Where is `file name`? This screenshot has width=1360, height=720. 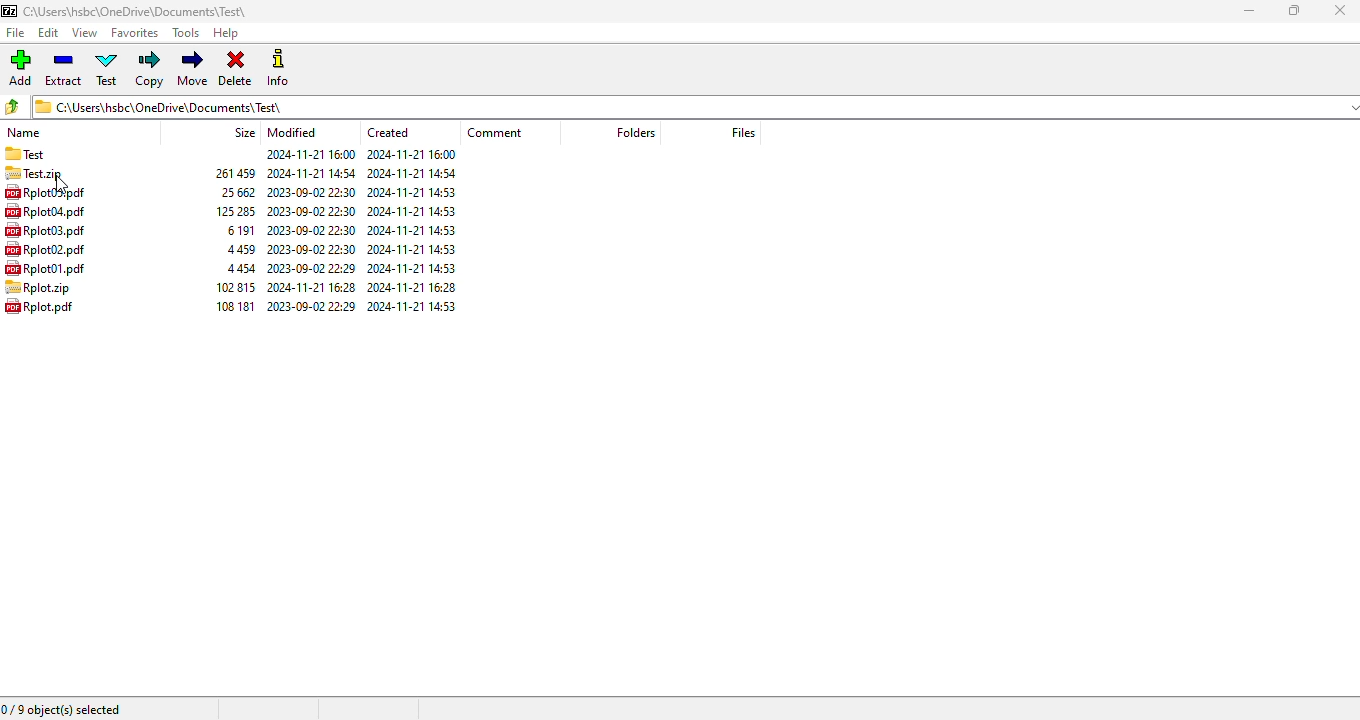
file name is located at coordinates (44, 230).